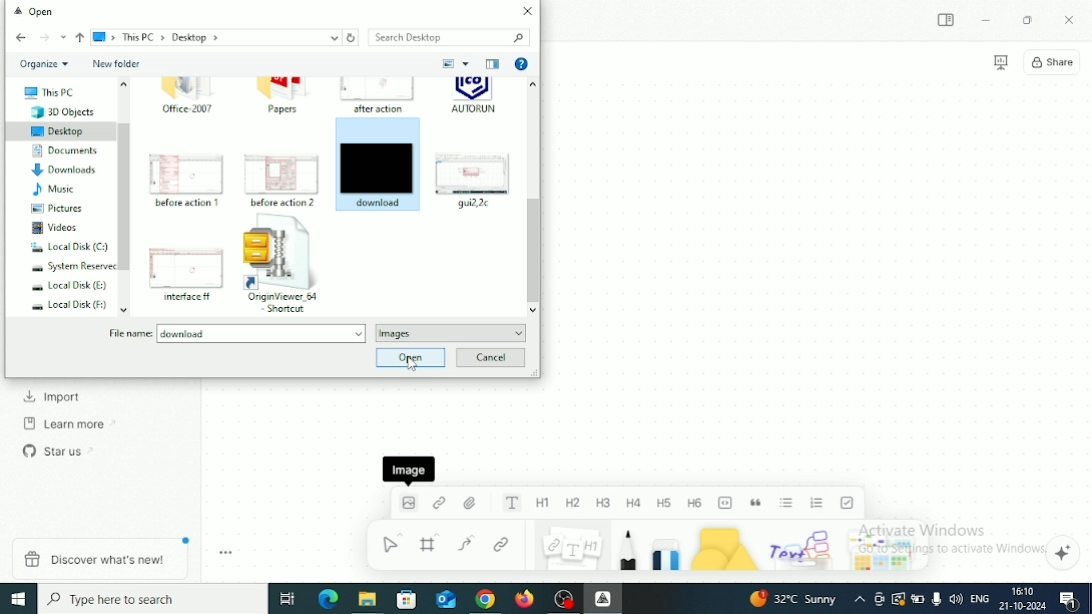 Image resolution: width=1092 pixels, height=614 pixels. What do you see at coordinates (102, 558) in the screenshot?
I see `Discover what's new!` at bounding box center [102, 558].